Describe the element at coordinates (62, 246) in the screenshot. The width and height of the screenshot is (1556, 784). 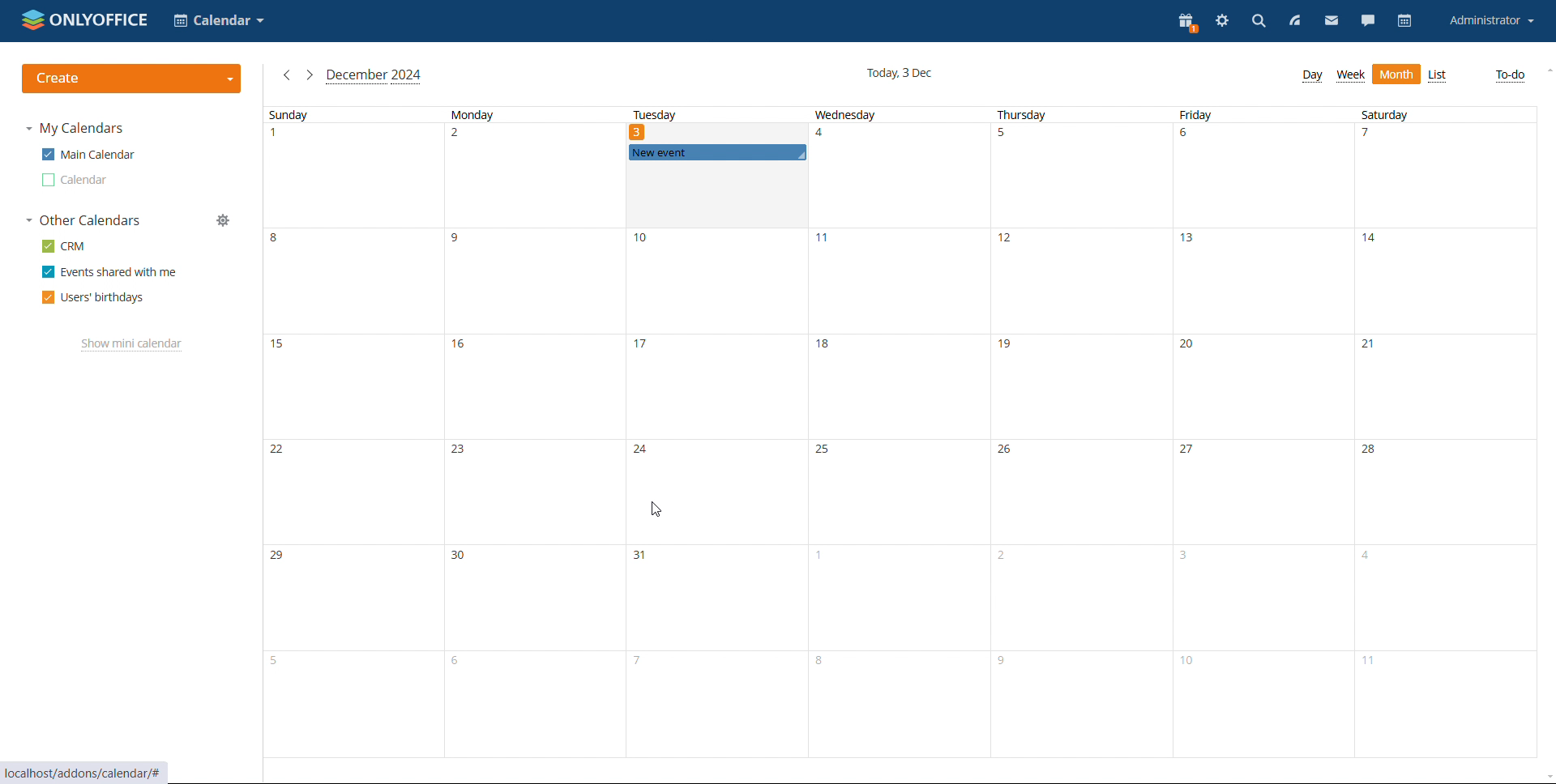
I see `crm` at that location.